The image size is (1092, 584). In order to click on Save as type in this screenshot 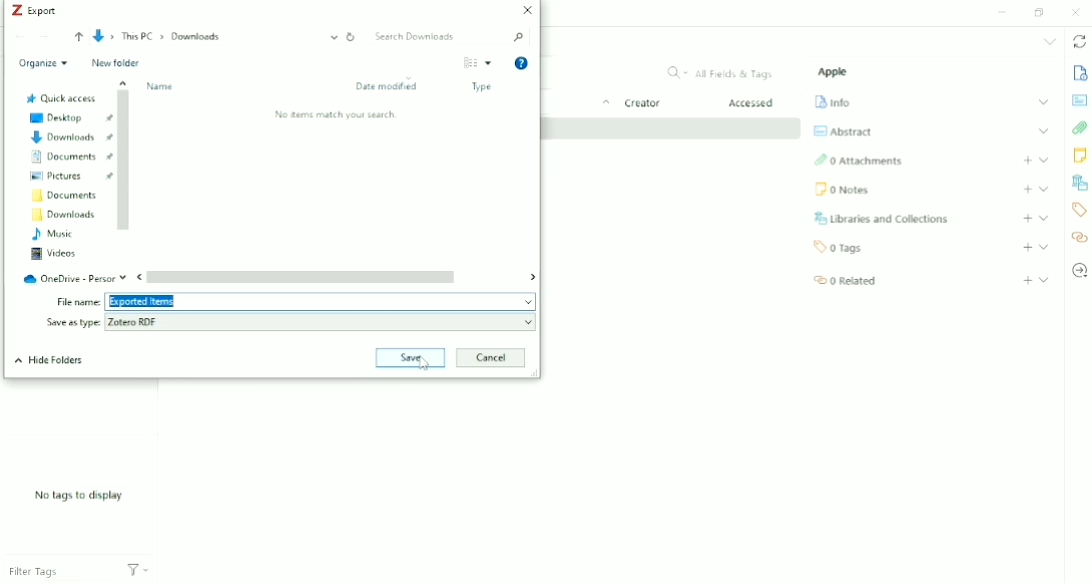, I will do `click(71, 323)`.